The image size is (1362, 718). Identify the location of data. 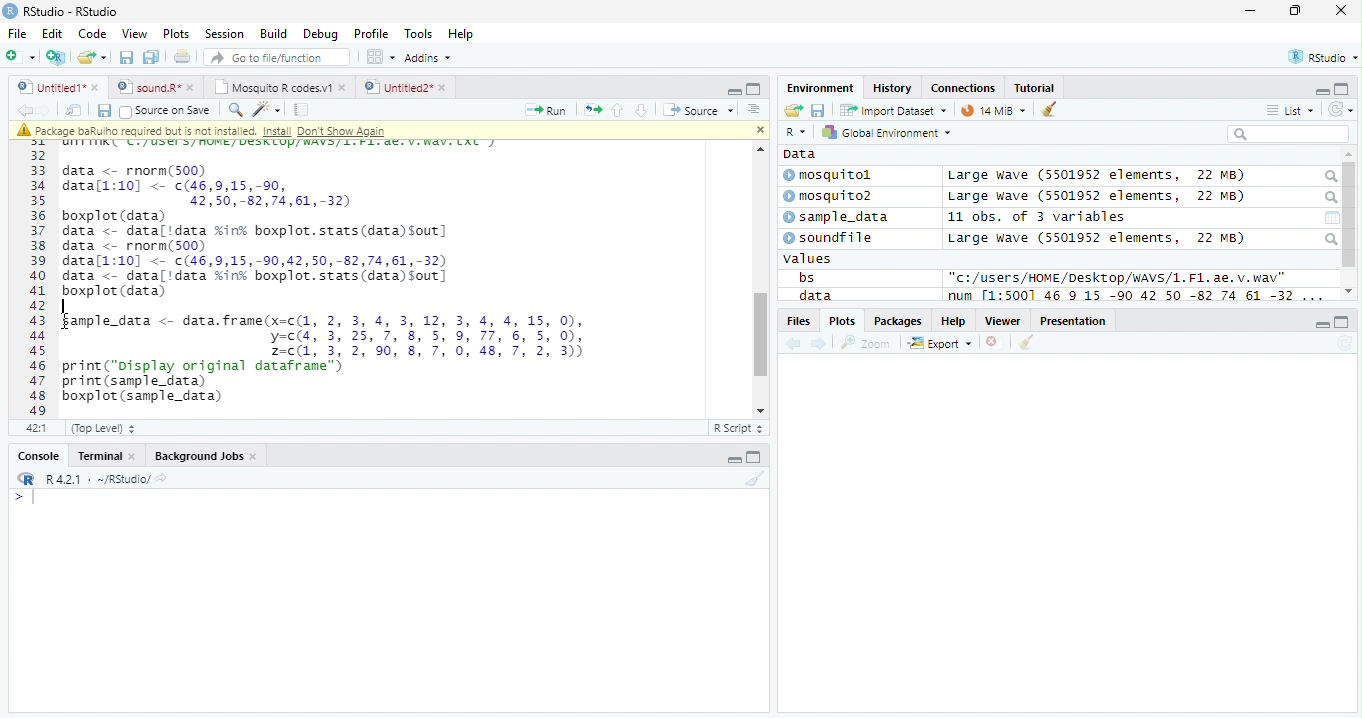
(813, 295).